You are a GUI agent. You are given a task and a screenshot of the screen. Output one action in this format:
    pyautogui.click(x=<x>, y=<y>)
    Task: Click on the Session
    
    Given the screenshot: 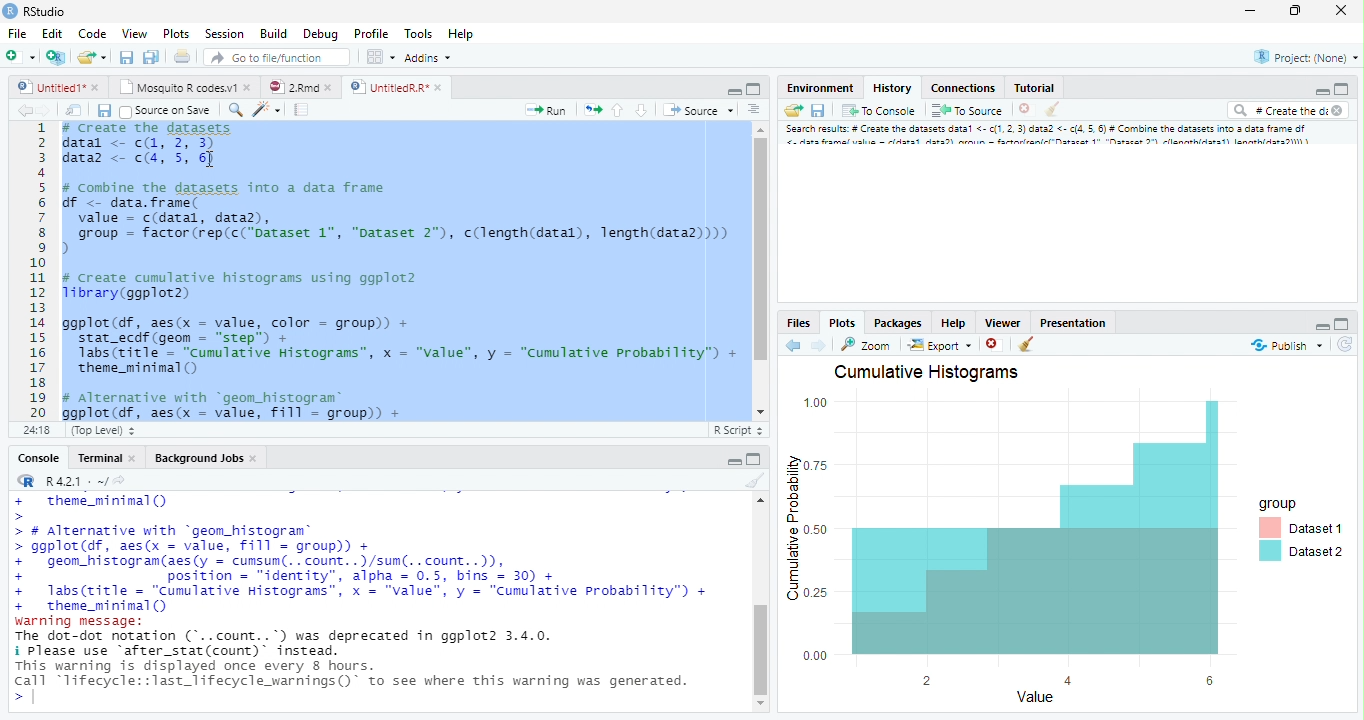 What is the action you would take?
    pyautogui.click(x=227, y=34)
    